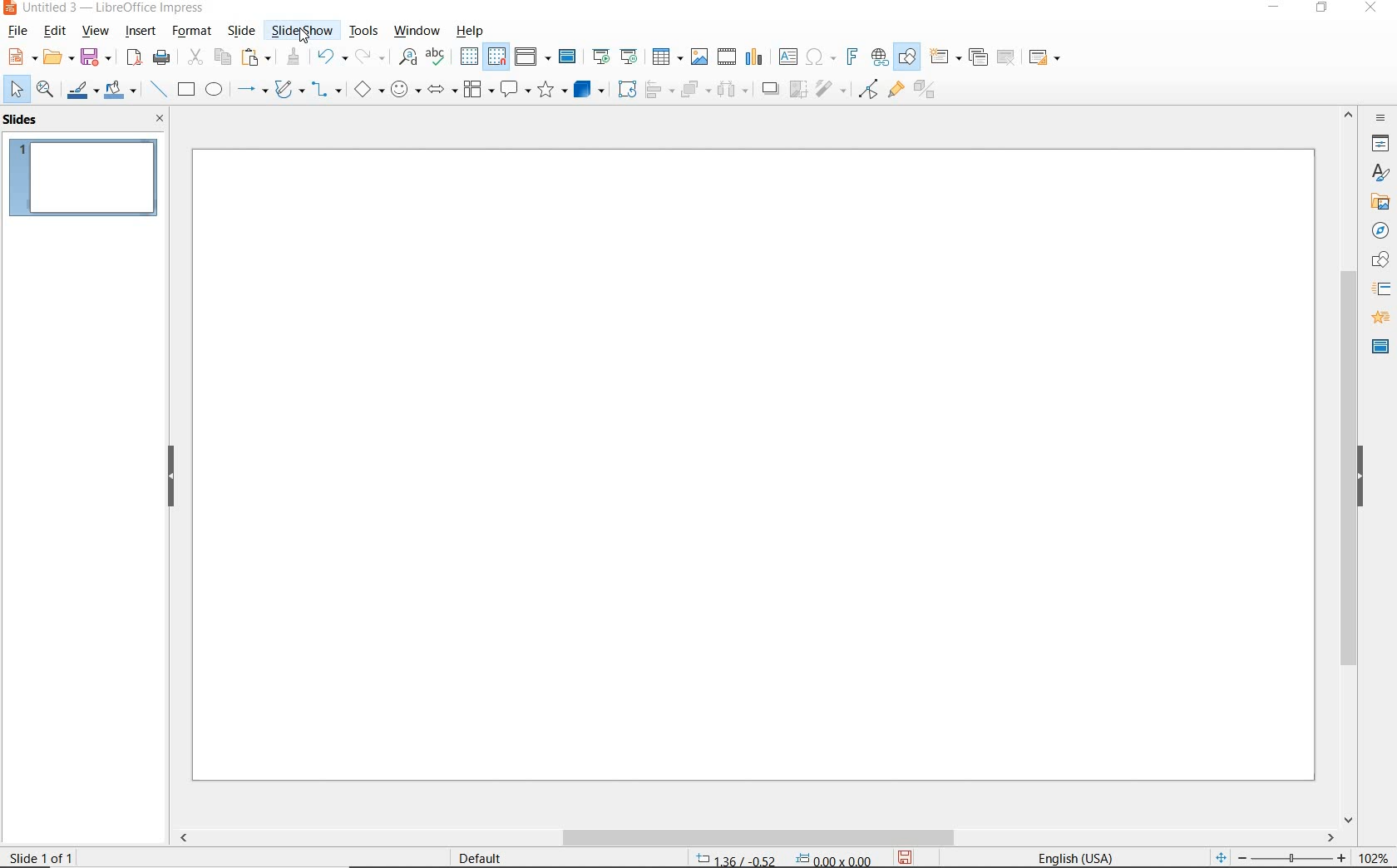 The image size is (1397, 868). Describe the element at coordinates (255, 57) in the screenshot. I see `PASTE` at that location.